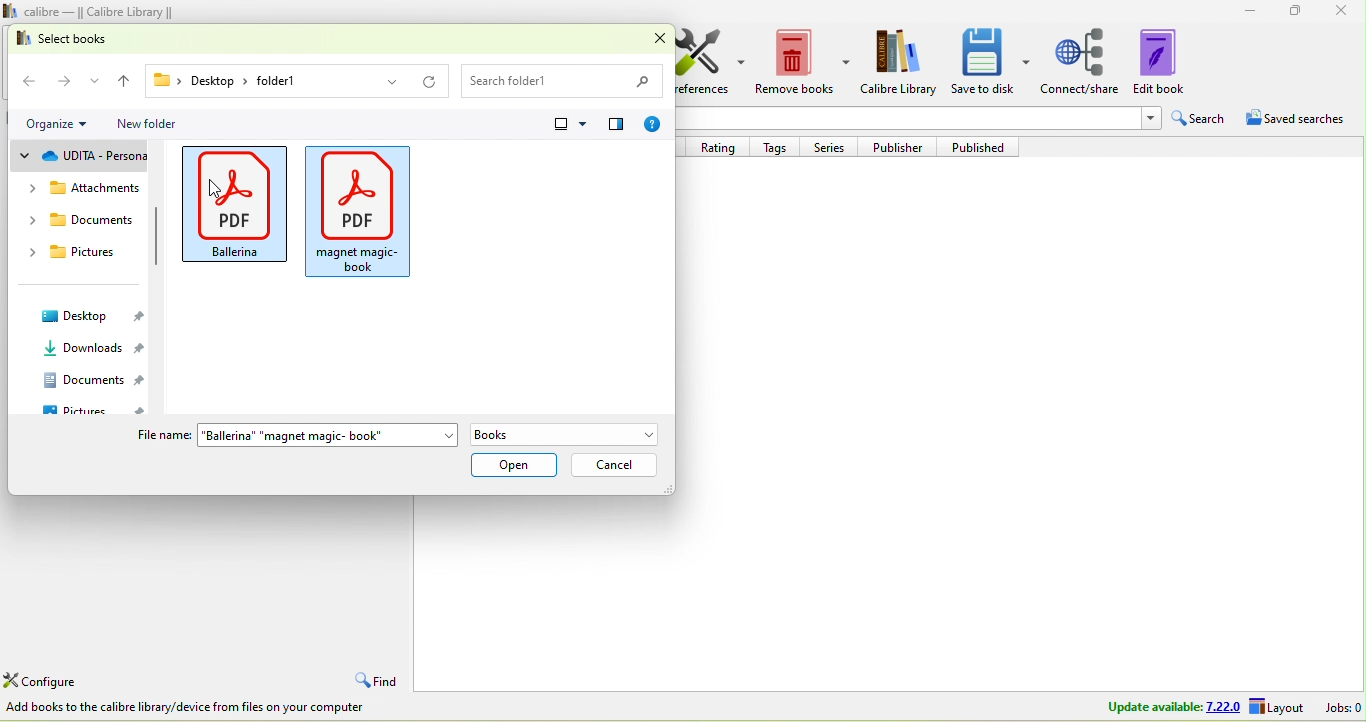 This screenshot has height=722, width=1366. What do you see at coordinates (91, 411) in the screenshot?
I see `pictures` at bounding box center [91, 411].